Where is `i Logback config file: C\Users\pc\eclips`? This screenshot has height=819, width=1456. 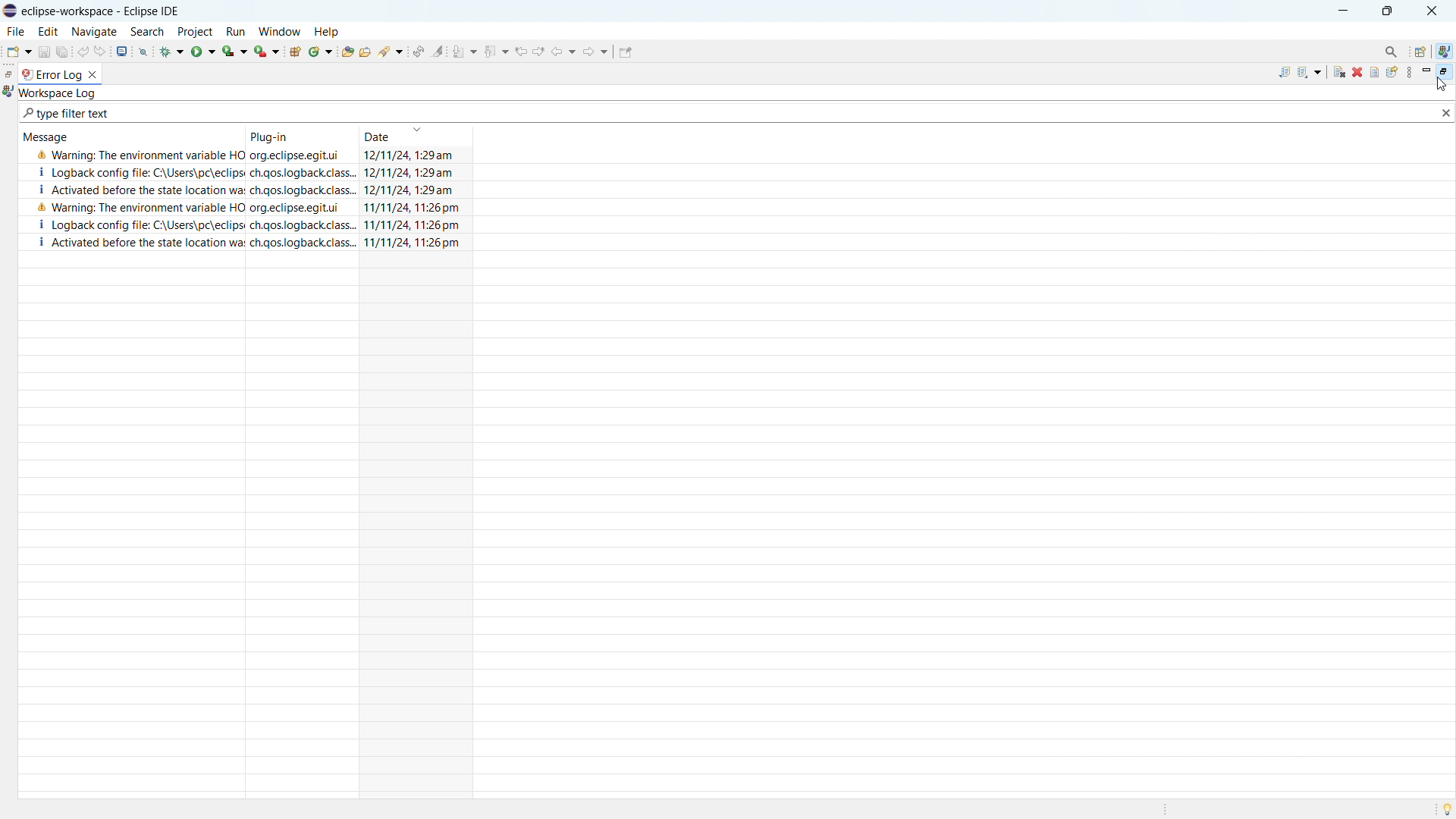
i Logback config file: C\Users\pc\eclips is located at coordinates (135, 173).